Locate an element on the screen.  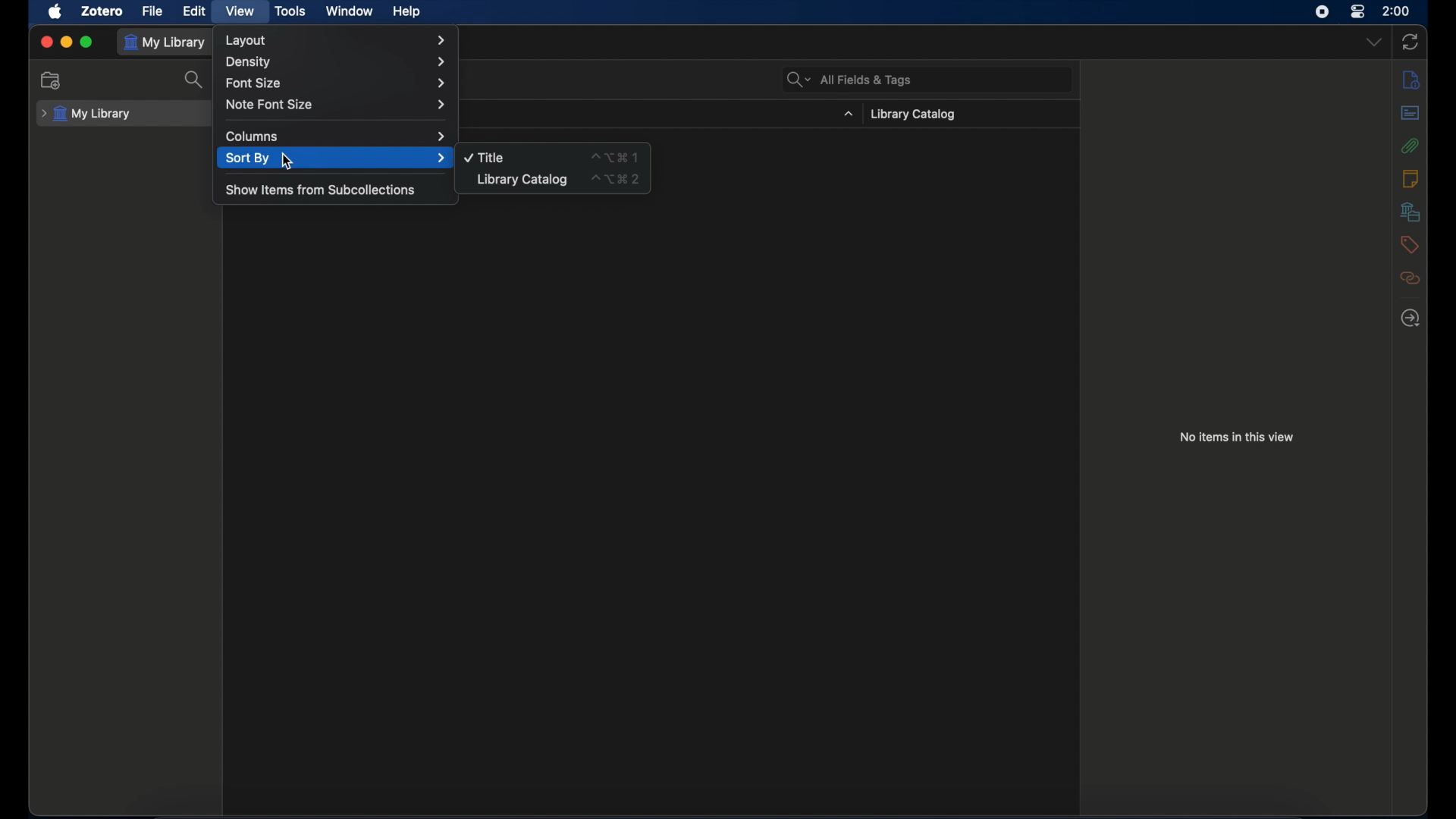
columns is located at coordinates (336, 137).